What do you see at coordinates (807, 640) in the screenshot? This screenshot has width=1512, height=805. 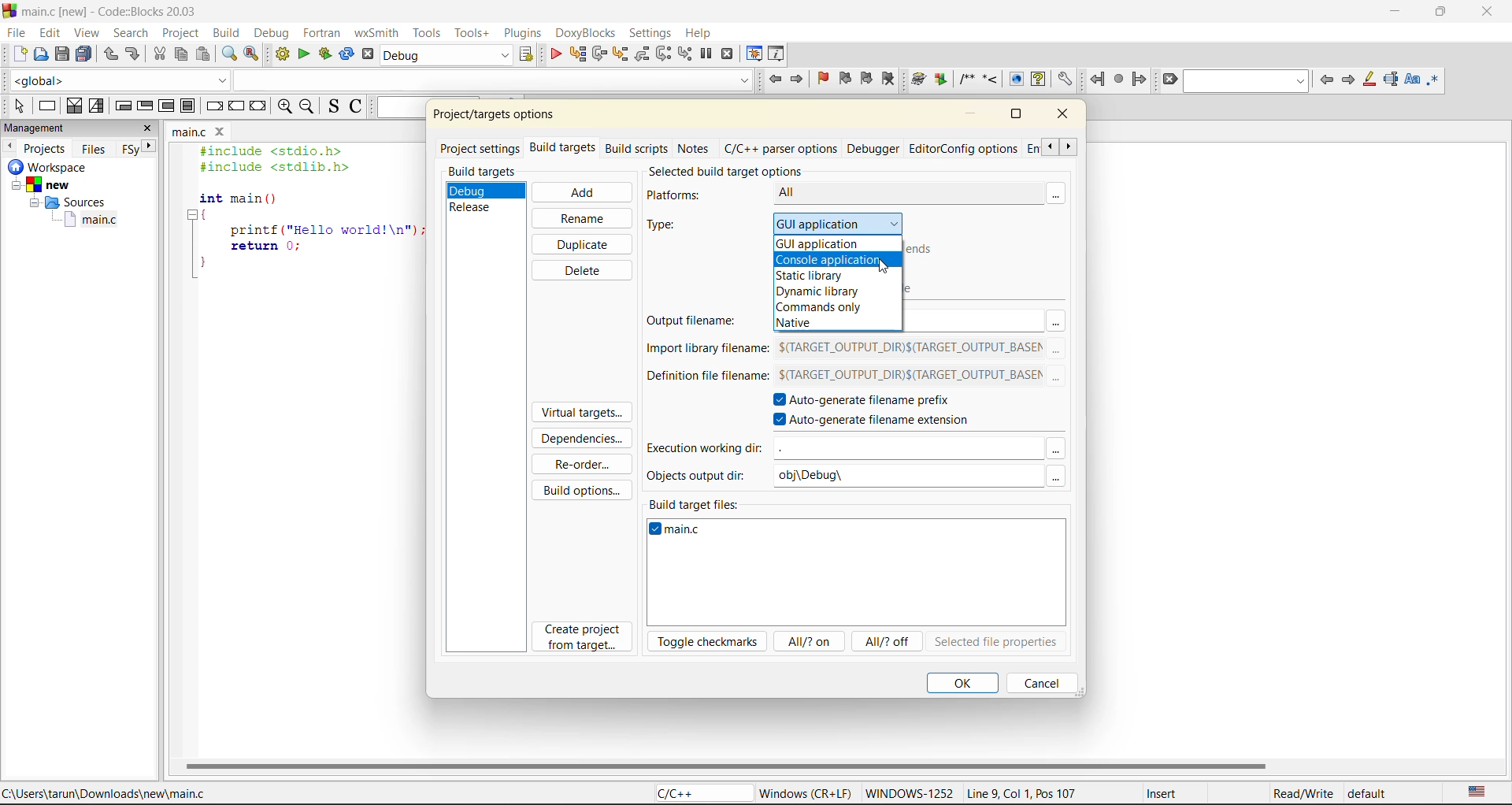 I see `all/?on` at bounding box center [807, 640].